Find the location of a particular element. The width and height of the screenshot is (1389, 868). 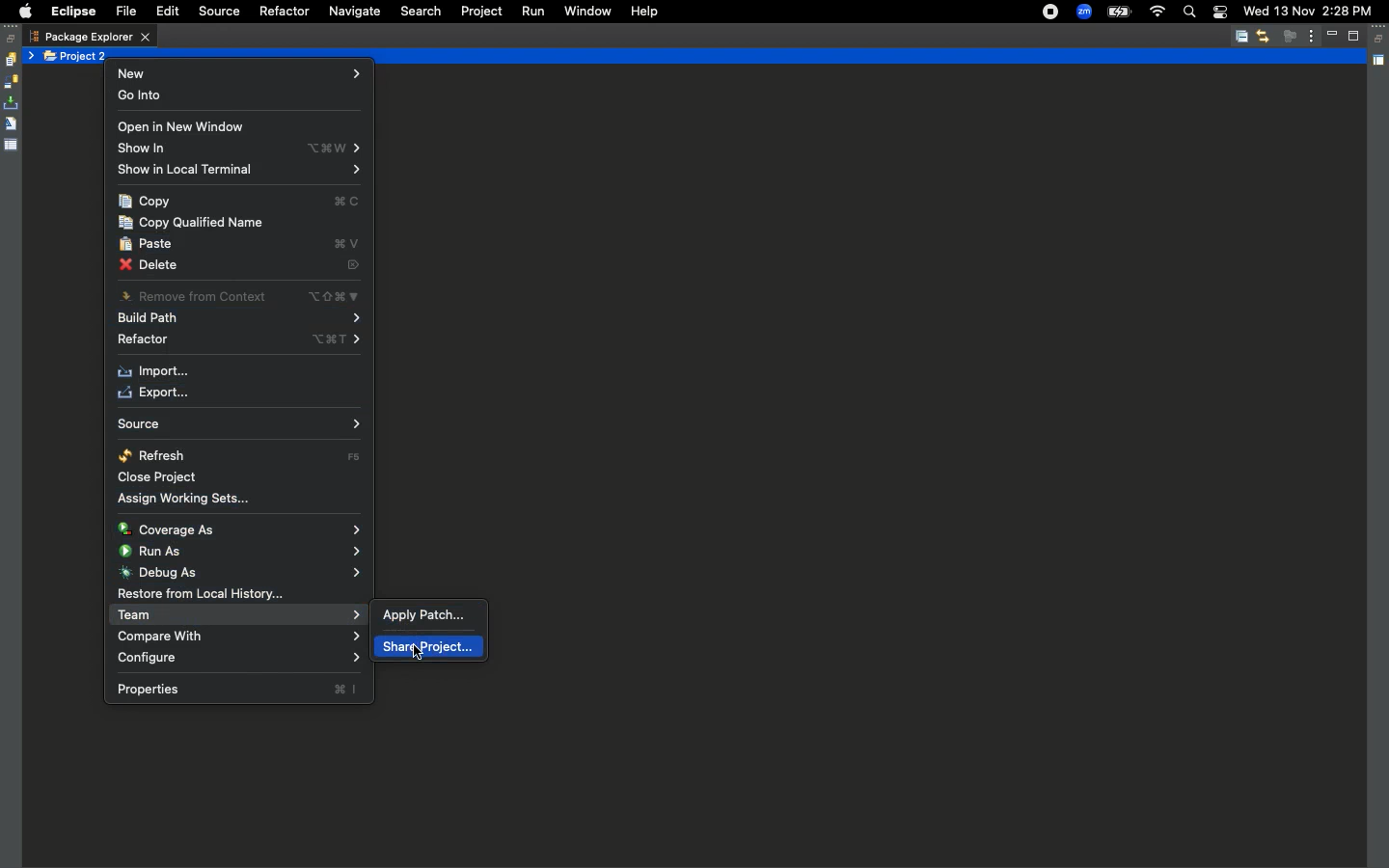

Close project is located at coordinates (162, 478).